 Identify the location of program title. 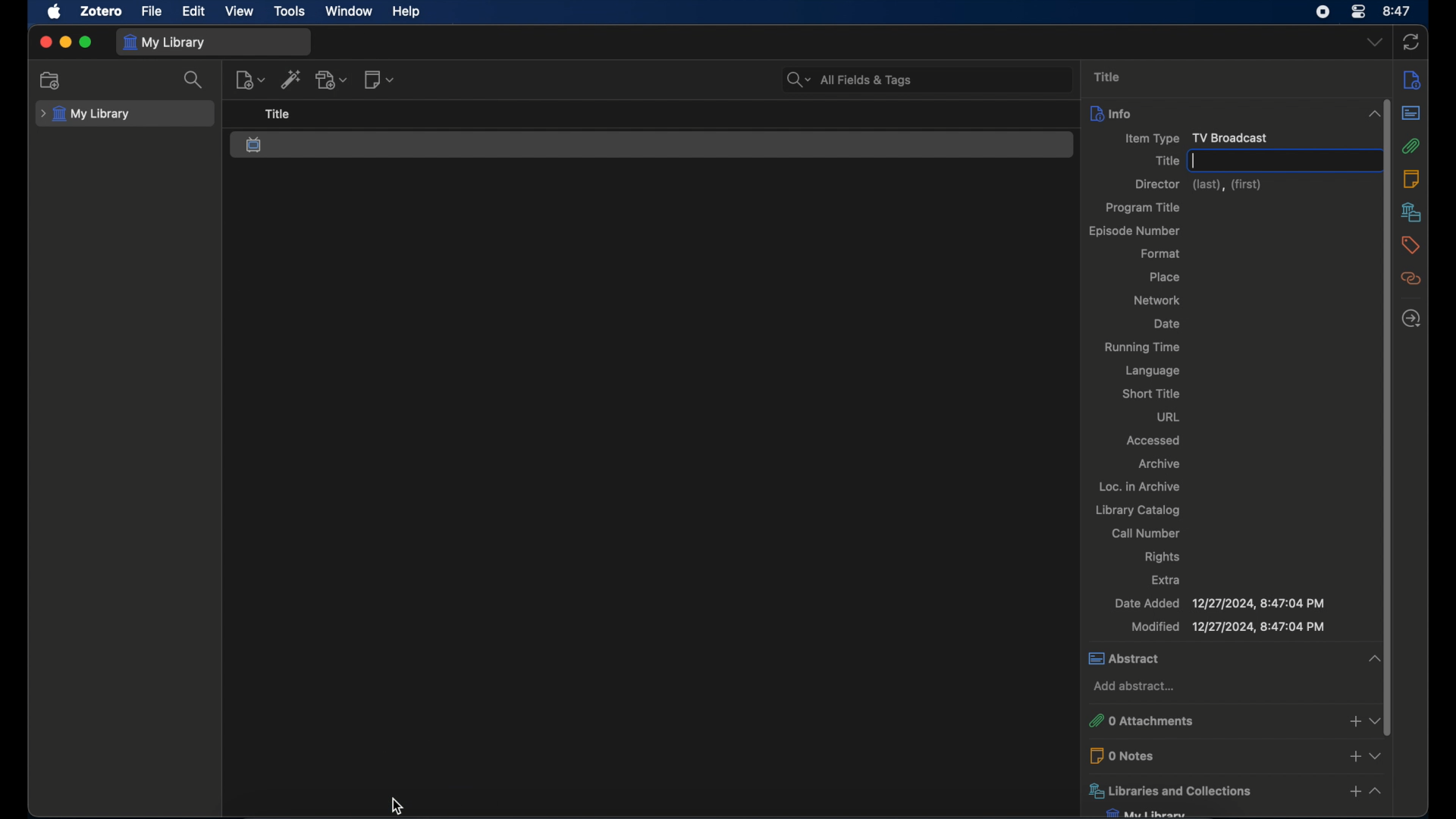
(1145, 208).